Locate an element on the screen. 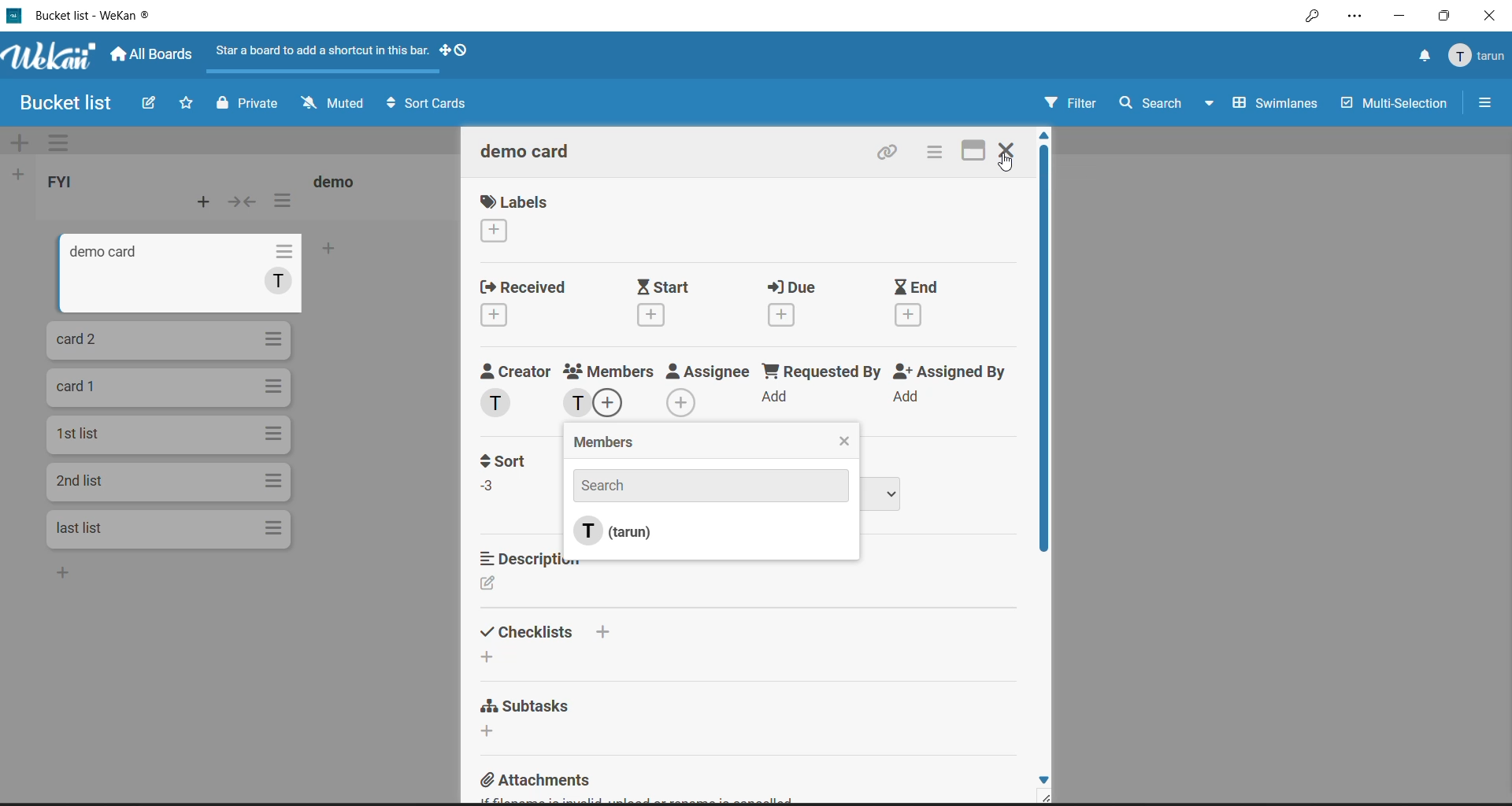  card bottom is located at coordinates (87, 577).